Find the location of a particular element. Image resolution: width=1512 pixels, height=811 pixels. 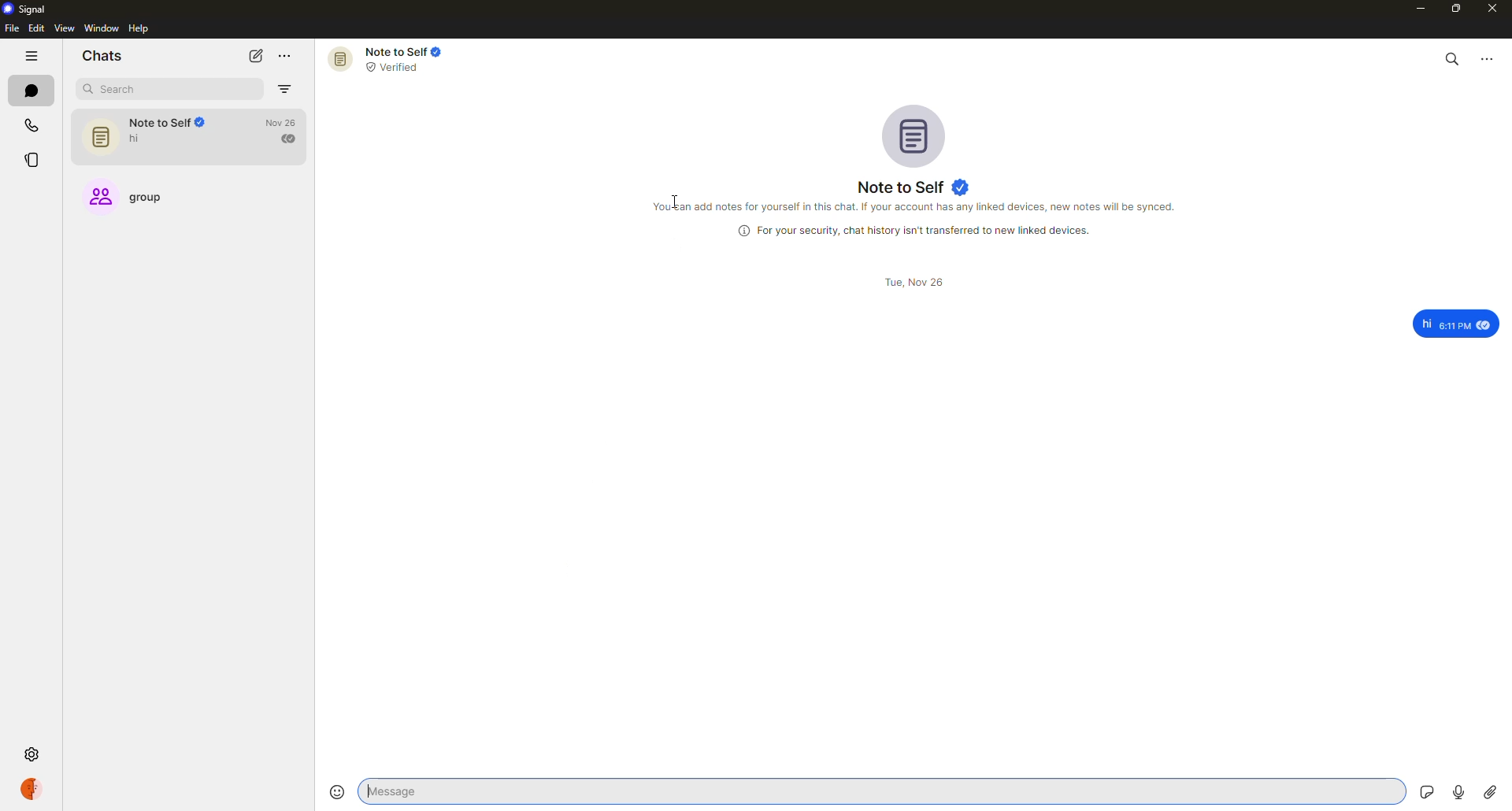

note to self is located at coordinates (914, 186).